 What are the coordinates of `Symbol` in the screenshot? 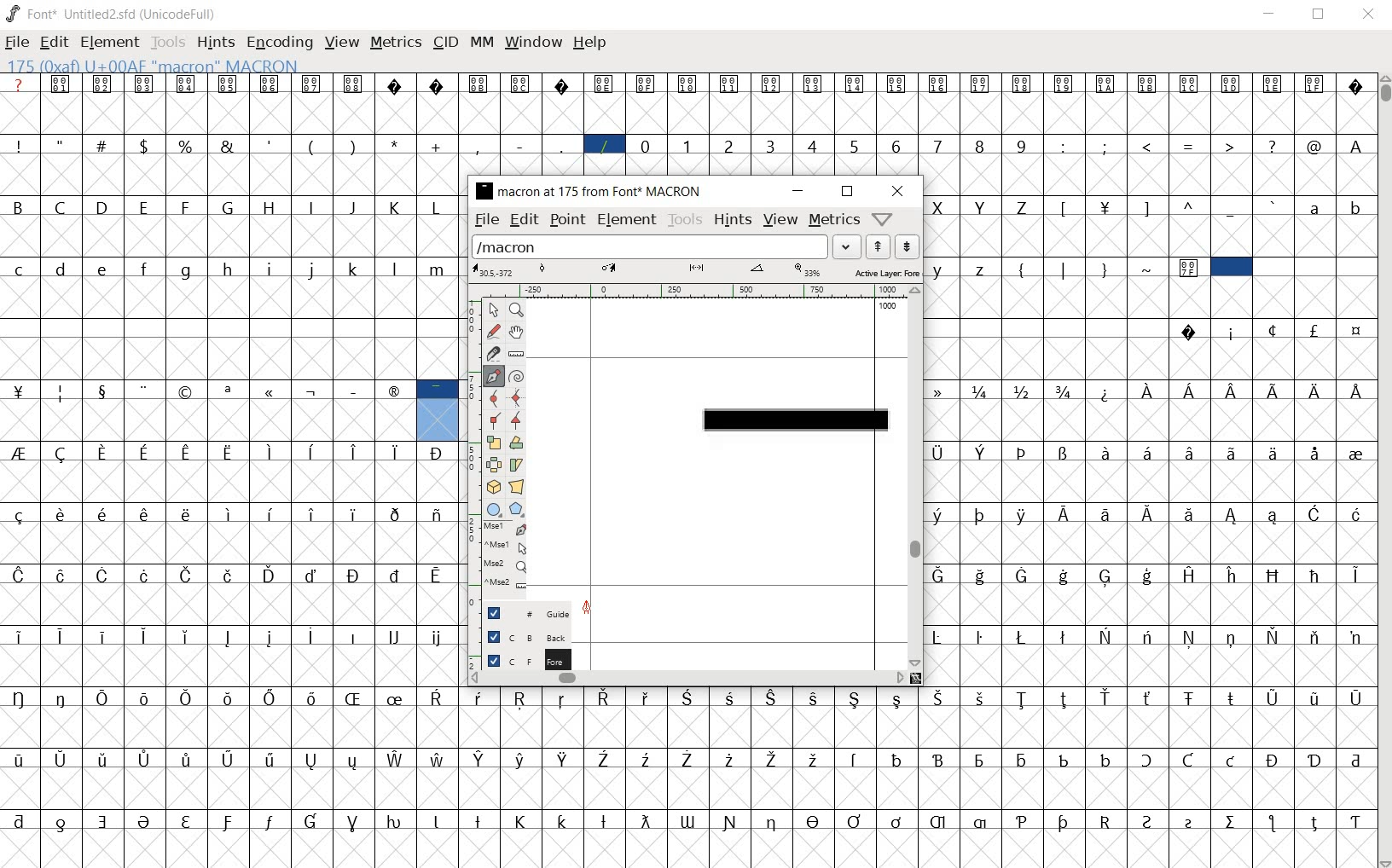 It's located at (1354, 83).